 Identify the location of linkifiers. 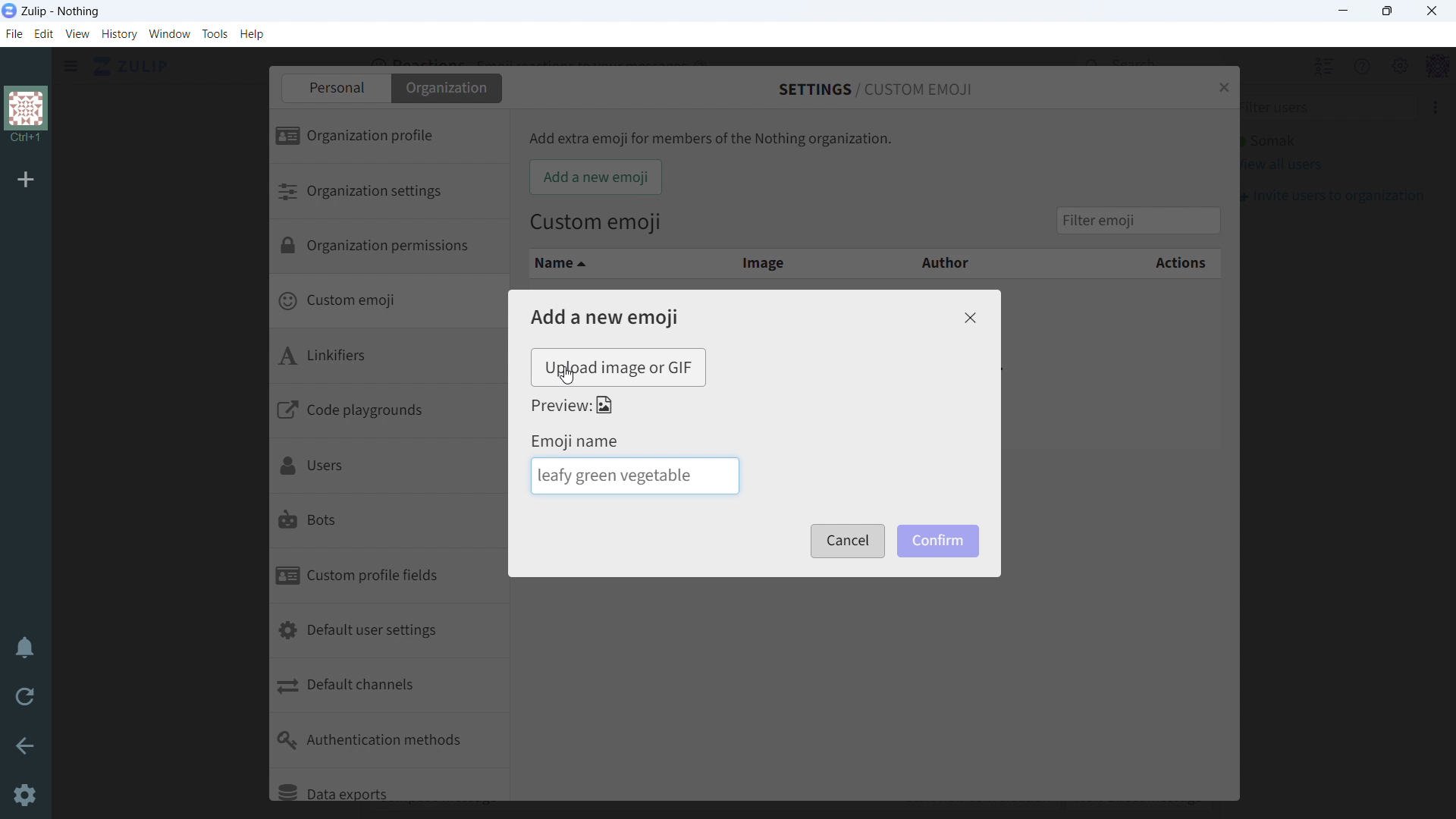
(387, 359).